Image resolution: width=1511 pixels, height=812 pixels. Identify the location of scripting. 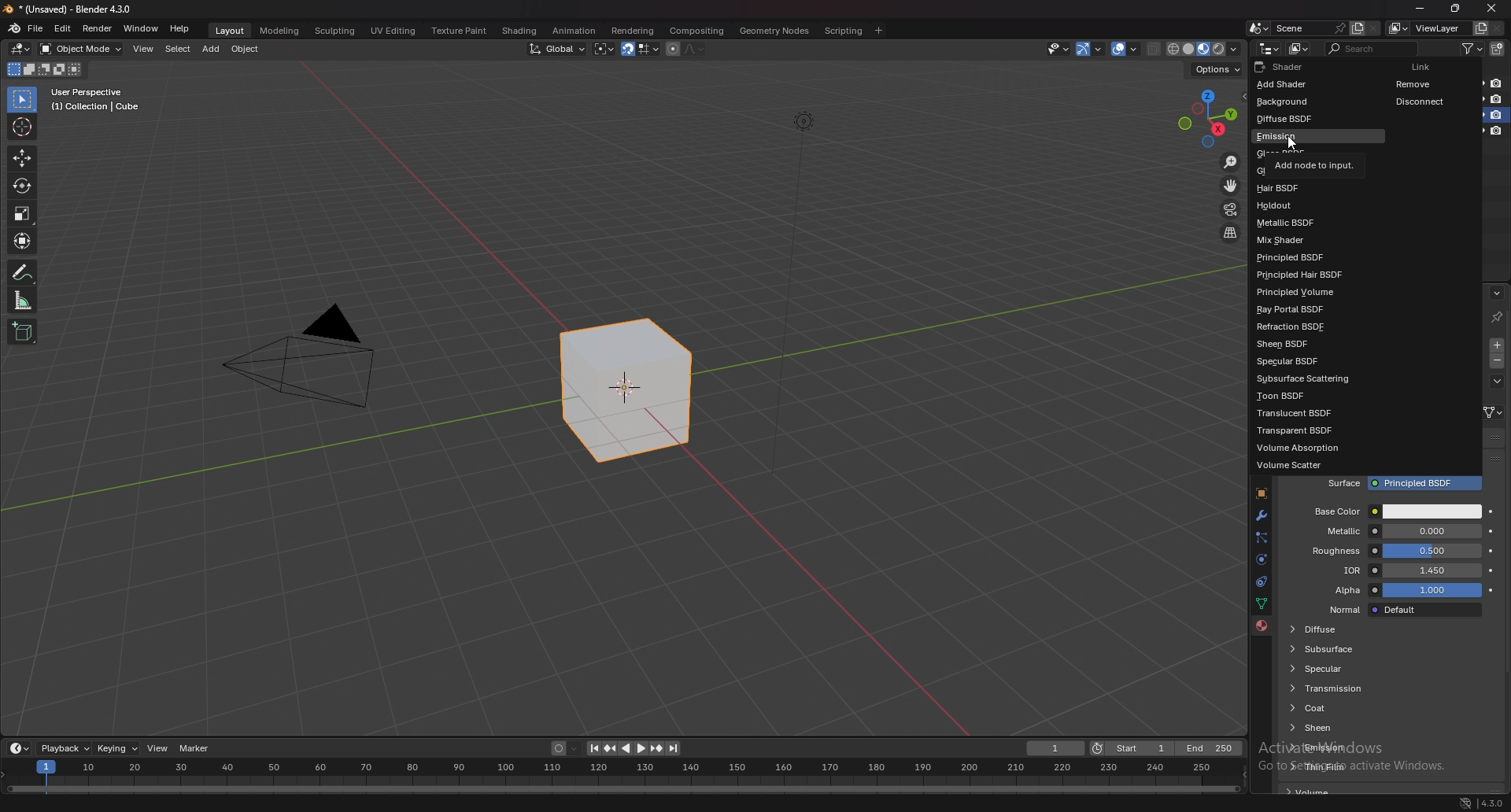
(844, 30).